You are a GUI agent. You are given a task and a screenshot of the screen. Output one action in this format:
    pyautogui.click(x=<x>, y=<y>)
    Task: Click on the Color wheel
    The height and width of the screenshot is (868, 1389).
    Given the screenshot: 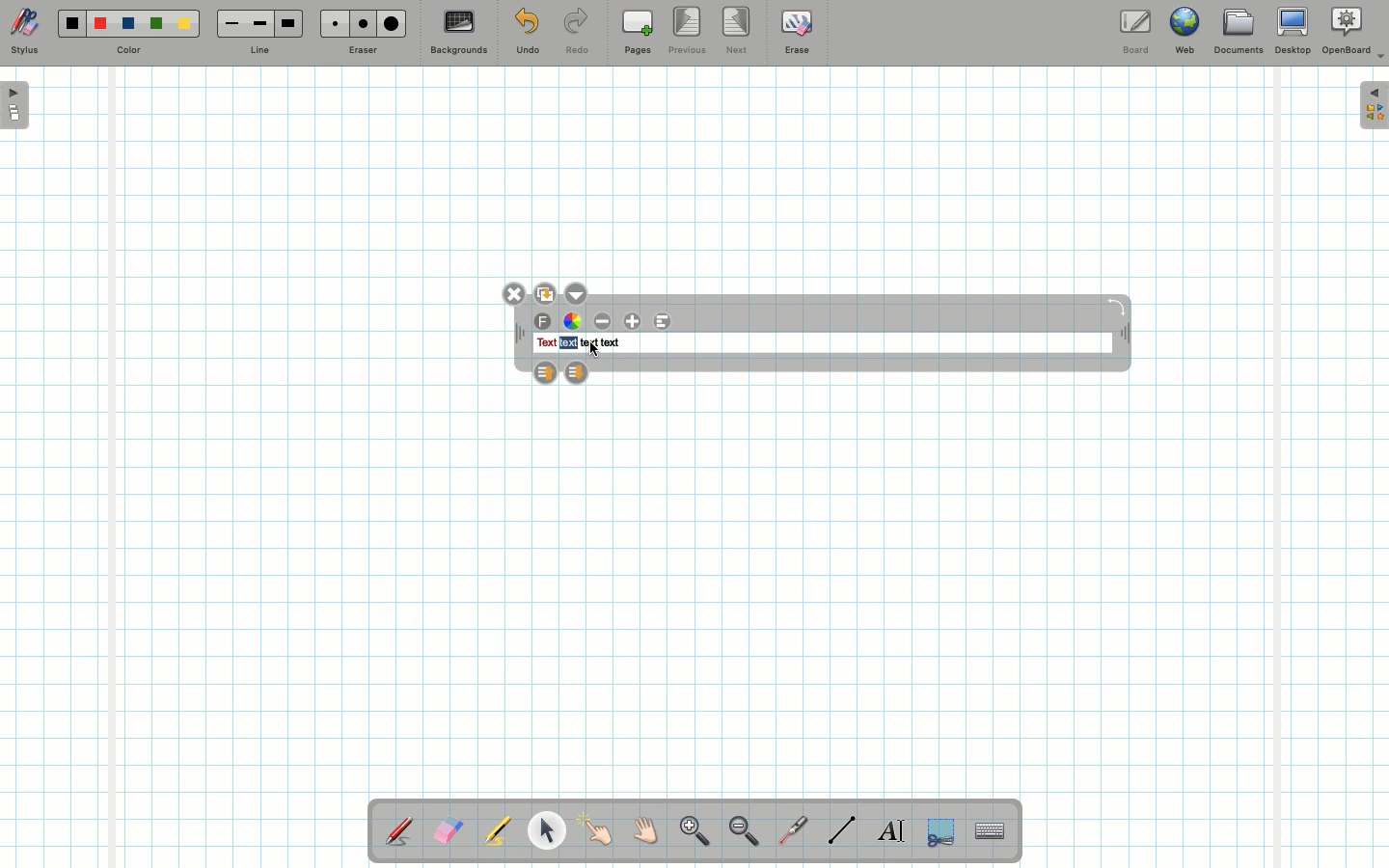 What is the action you would take?
    pyautogui.click(x=572, y=321)
    